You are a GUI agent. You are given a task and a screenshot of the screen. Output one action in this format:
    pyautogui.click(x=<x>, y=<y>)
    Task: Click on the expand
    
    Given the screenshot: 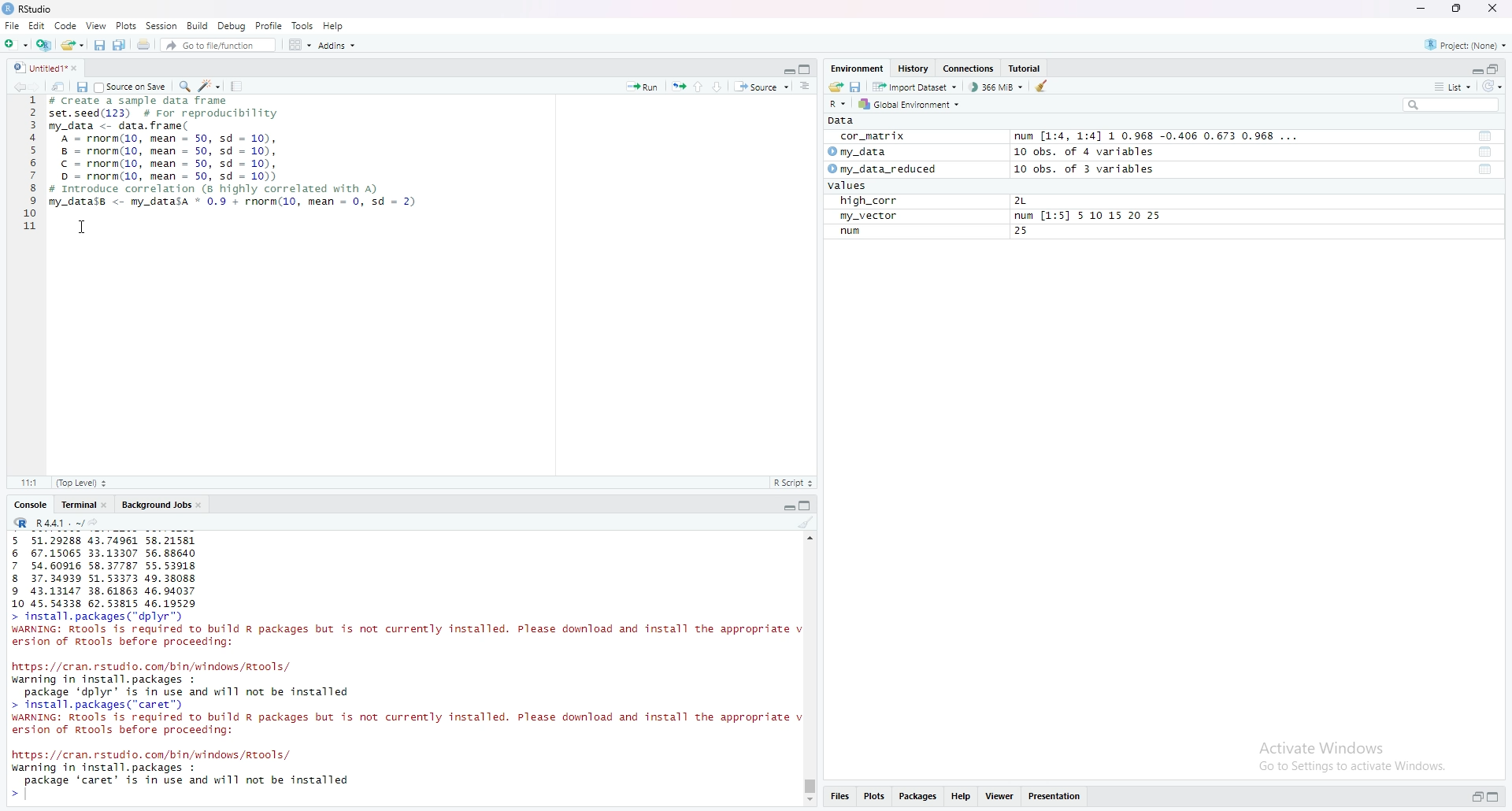 What is the action you would take?
    pyautogui.click(x=1493, y=797)
    